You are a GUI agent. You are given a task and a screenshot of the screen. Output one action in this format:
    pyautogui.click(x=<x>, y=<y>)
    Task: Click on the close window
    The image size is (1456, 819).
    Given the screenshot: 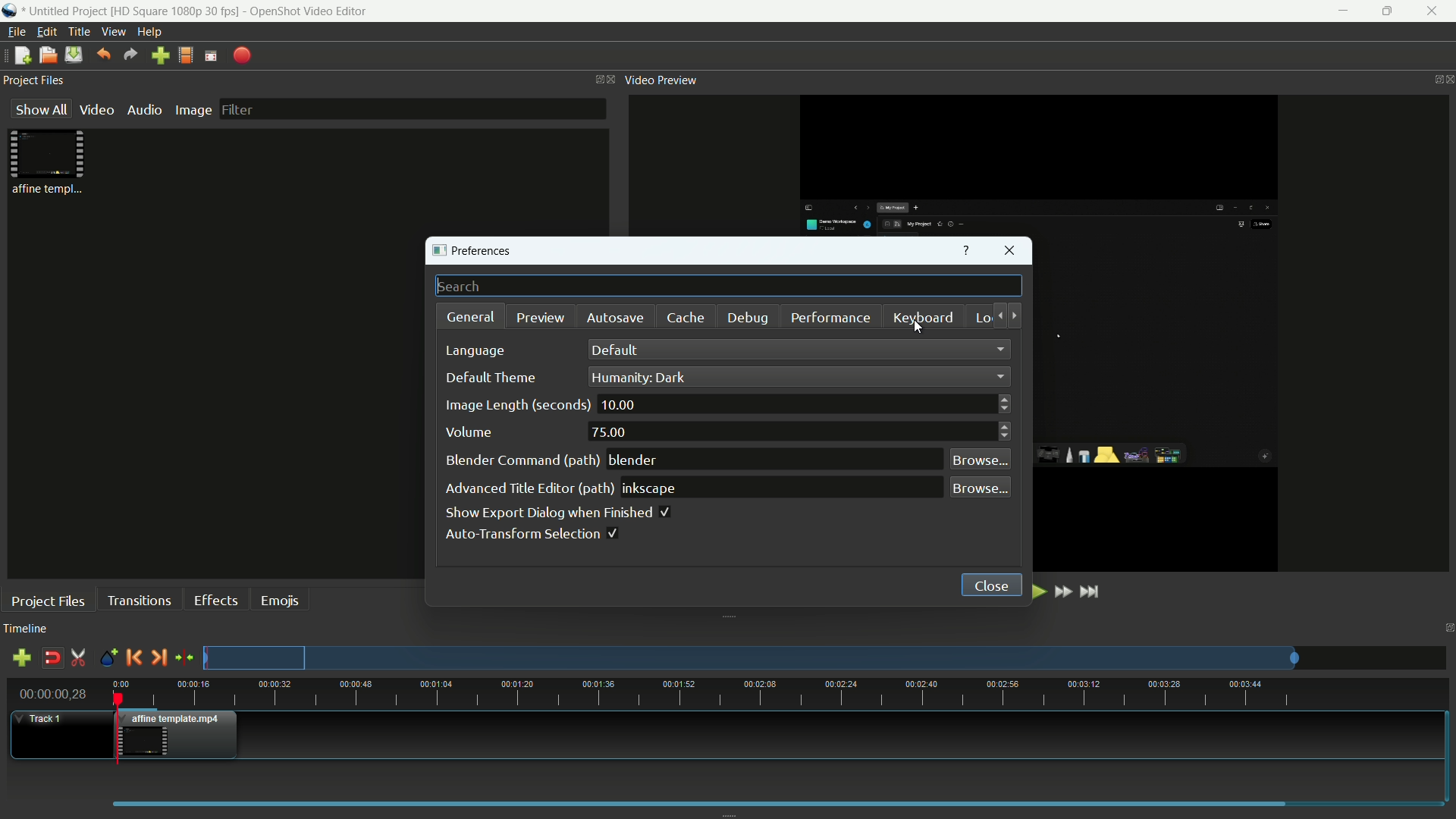 What is the action you would take?
    pyautogui.click(x=1011, y=253)
    